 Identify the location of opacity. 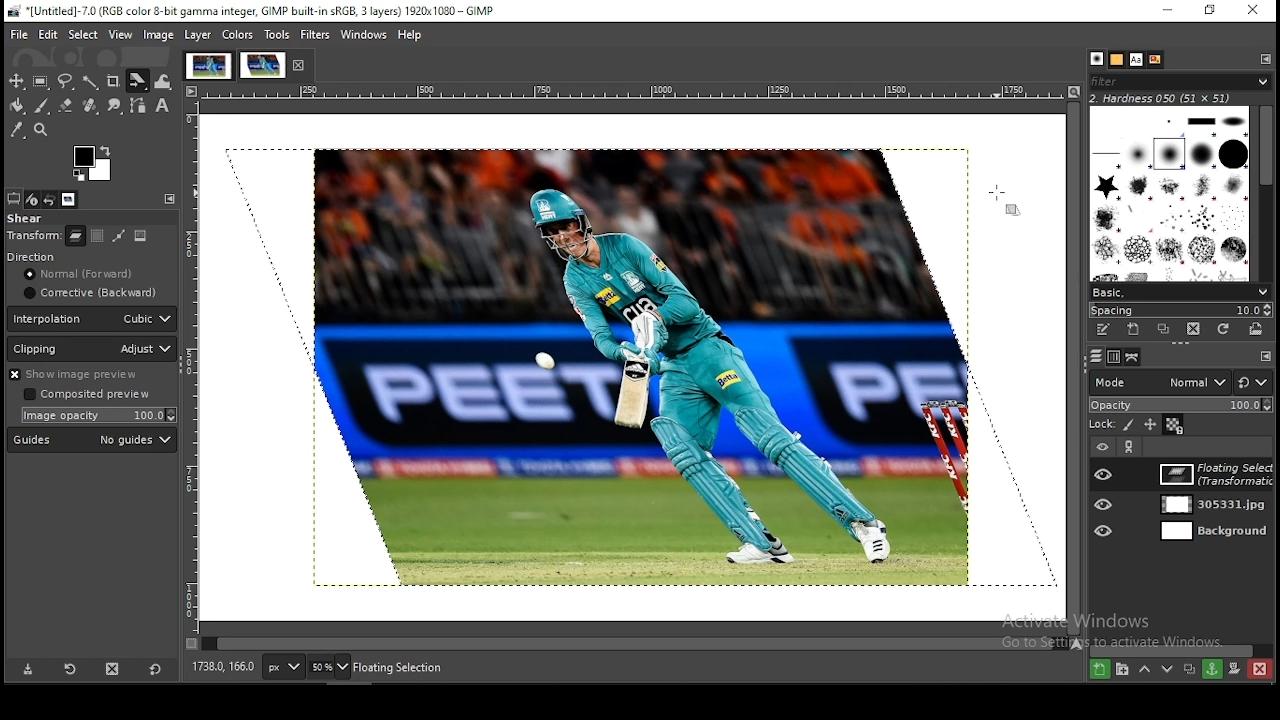
(1181, 405).